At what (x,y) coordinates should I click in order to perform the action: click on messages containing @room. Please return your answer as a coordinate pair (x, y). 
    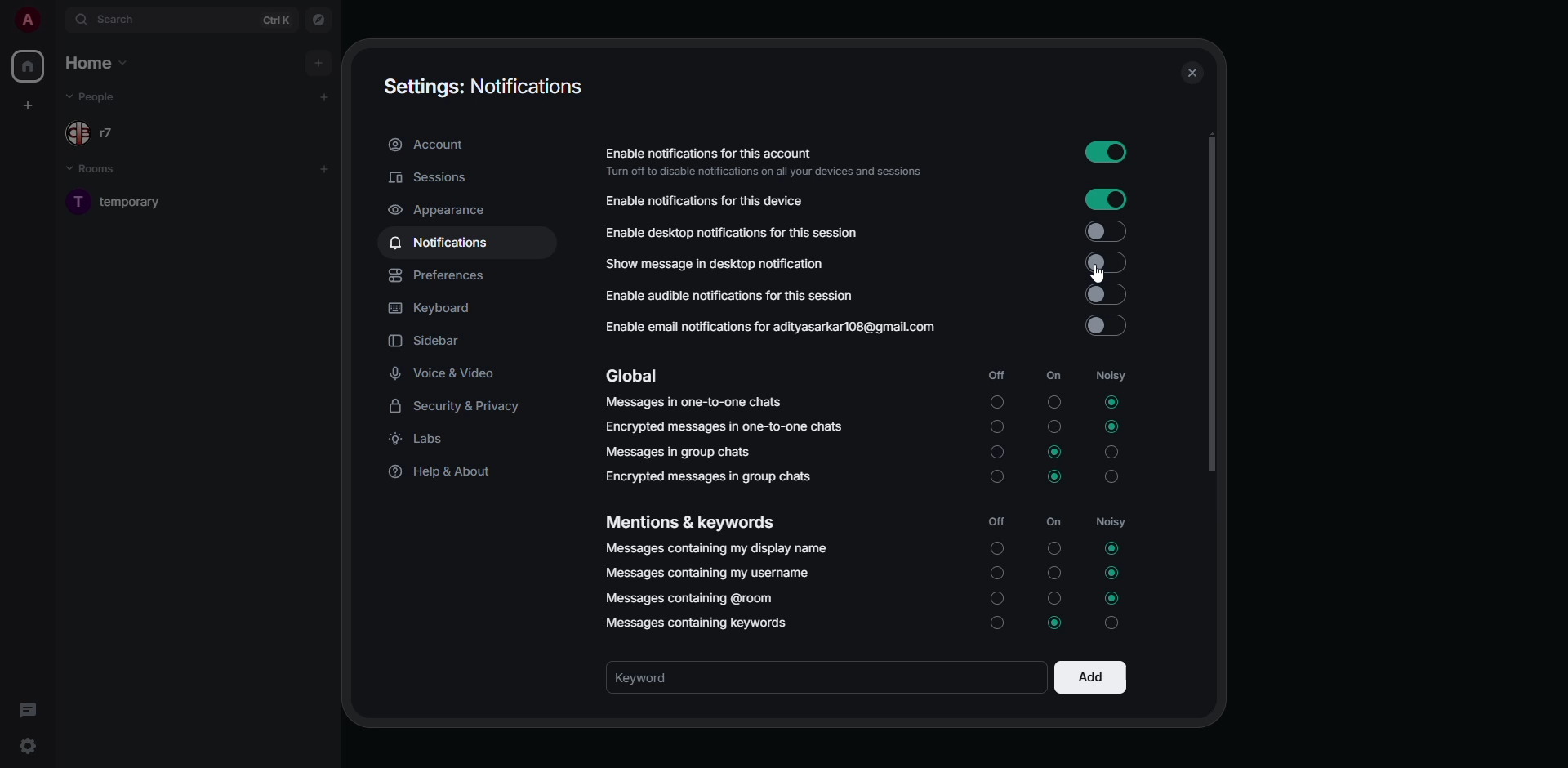
    Looking at the image, I should click on (692, 599).